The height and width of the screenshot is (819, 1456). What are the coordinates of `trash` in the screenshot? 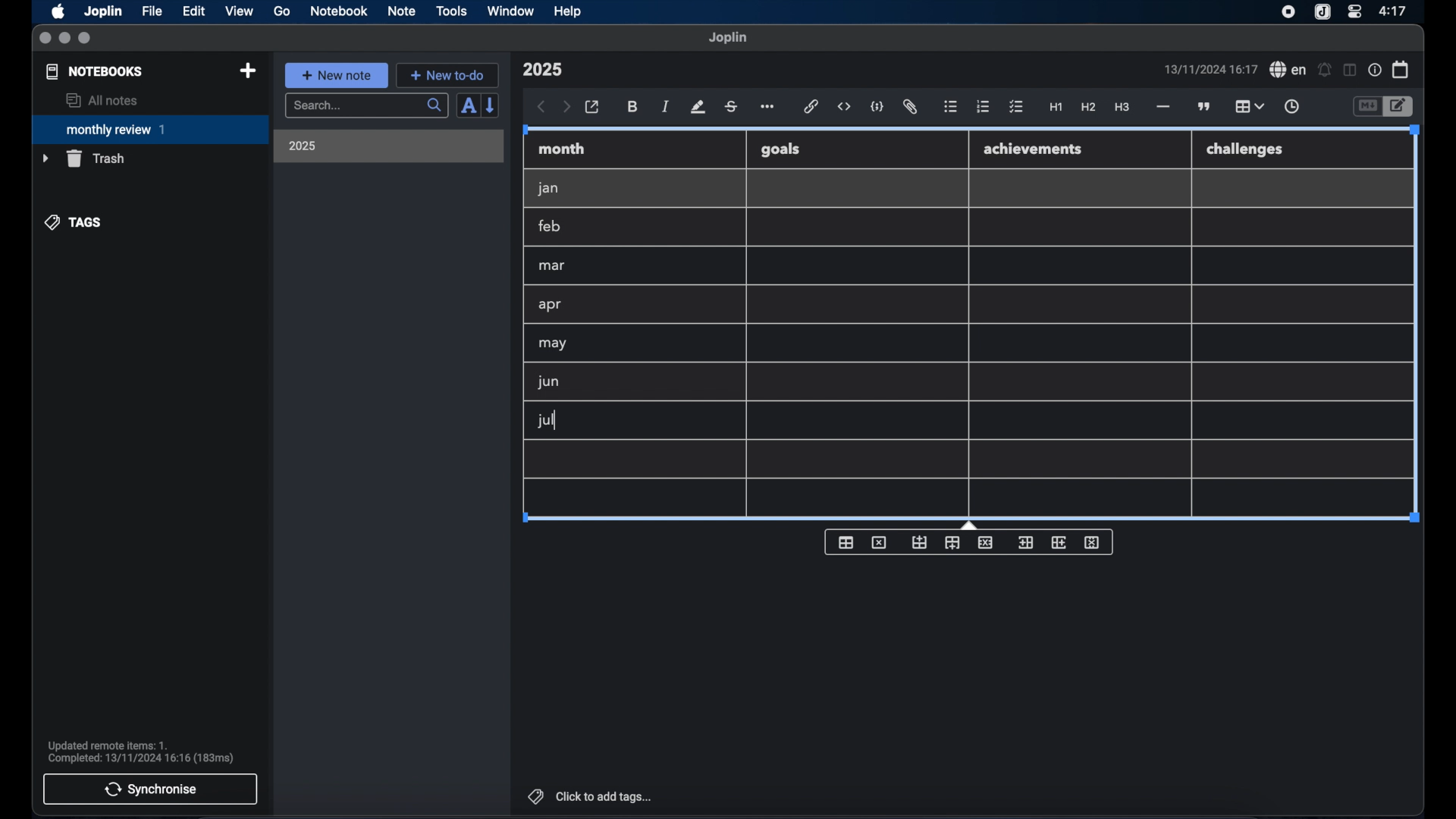 It's located at (83, 158).